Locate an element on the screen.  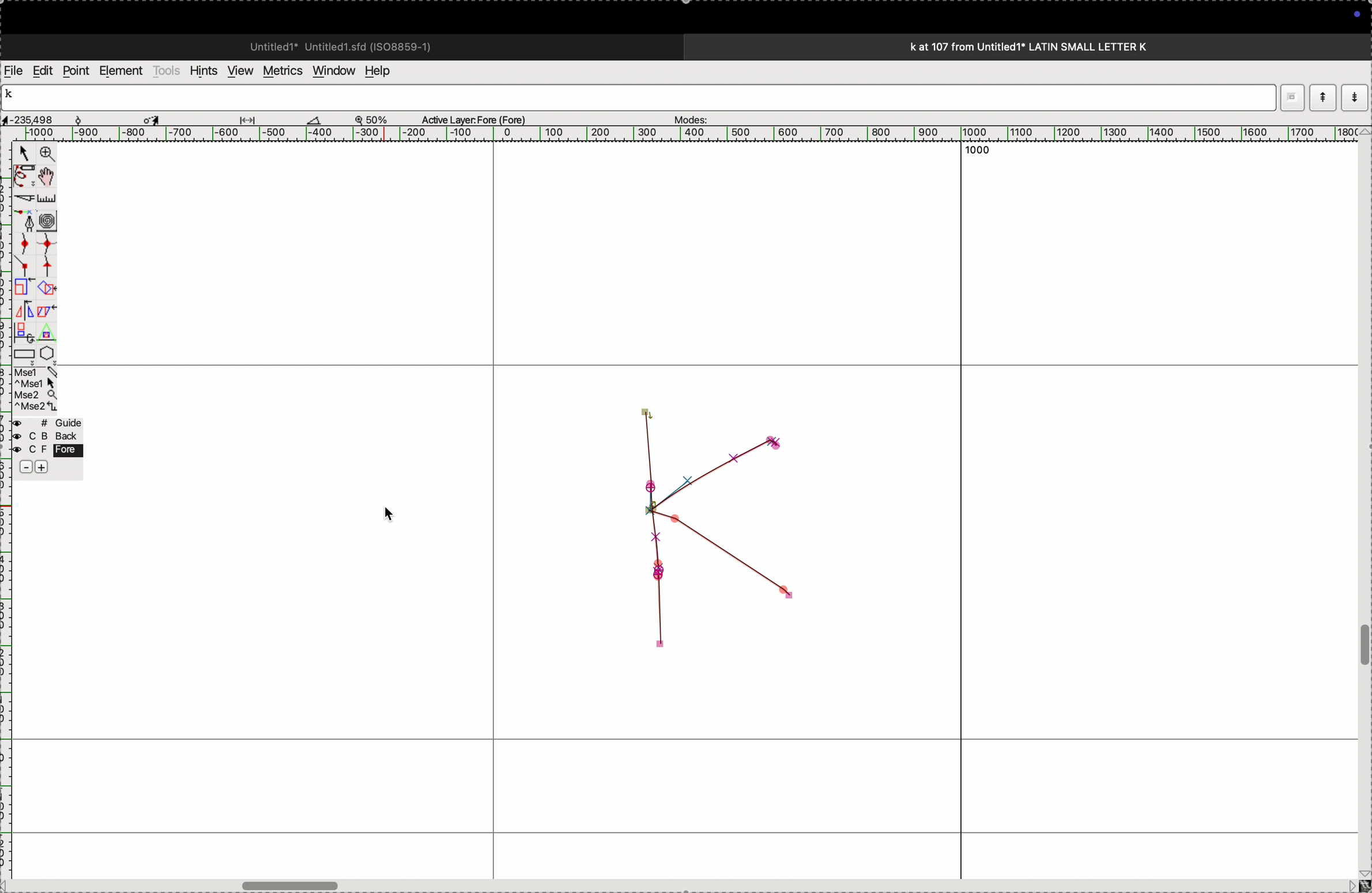
tools is located at coordinates (167, 70).